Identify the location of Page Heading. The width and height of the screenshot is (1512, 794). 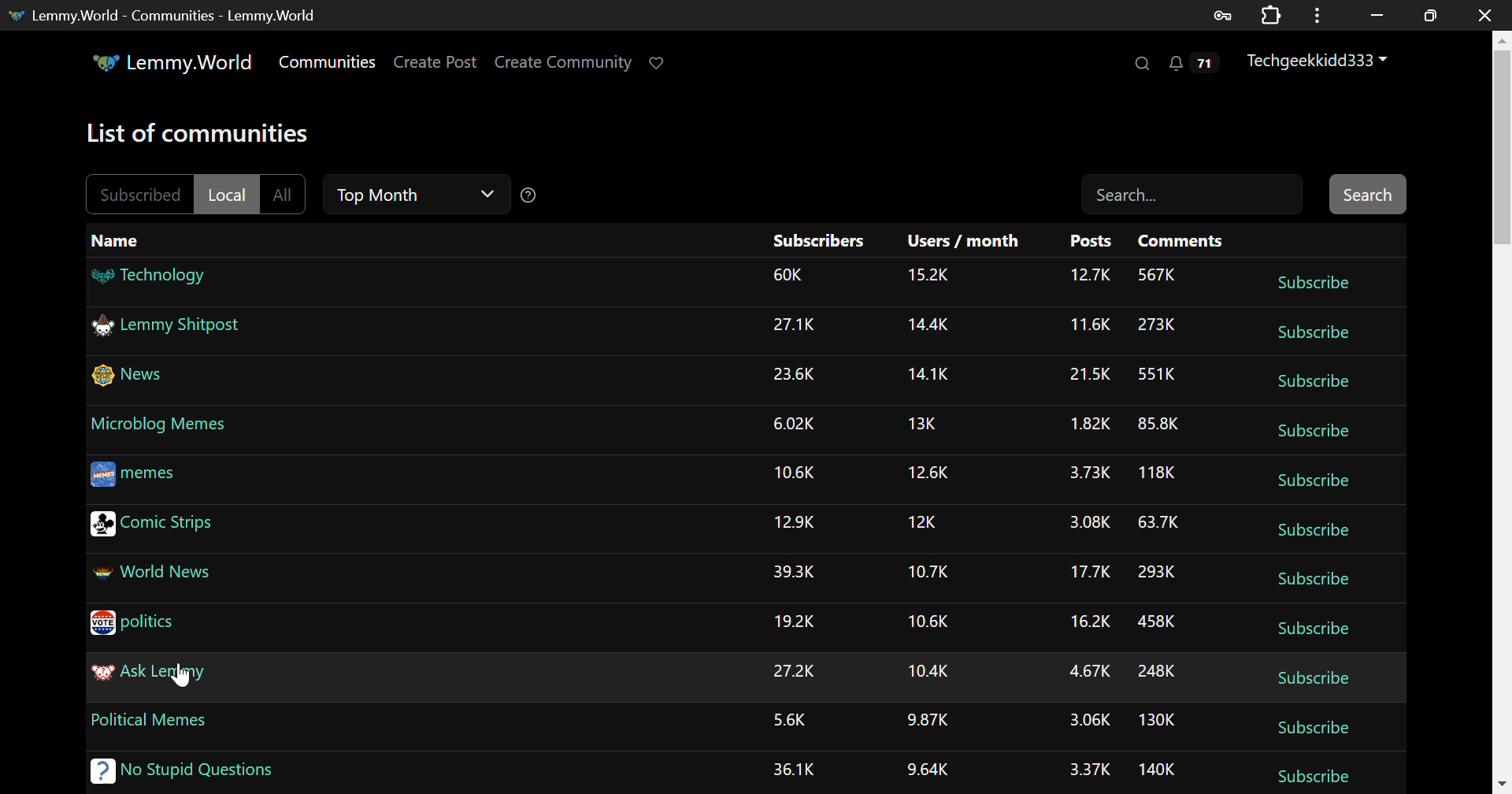
(198, 132).